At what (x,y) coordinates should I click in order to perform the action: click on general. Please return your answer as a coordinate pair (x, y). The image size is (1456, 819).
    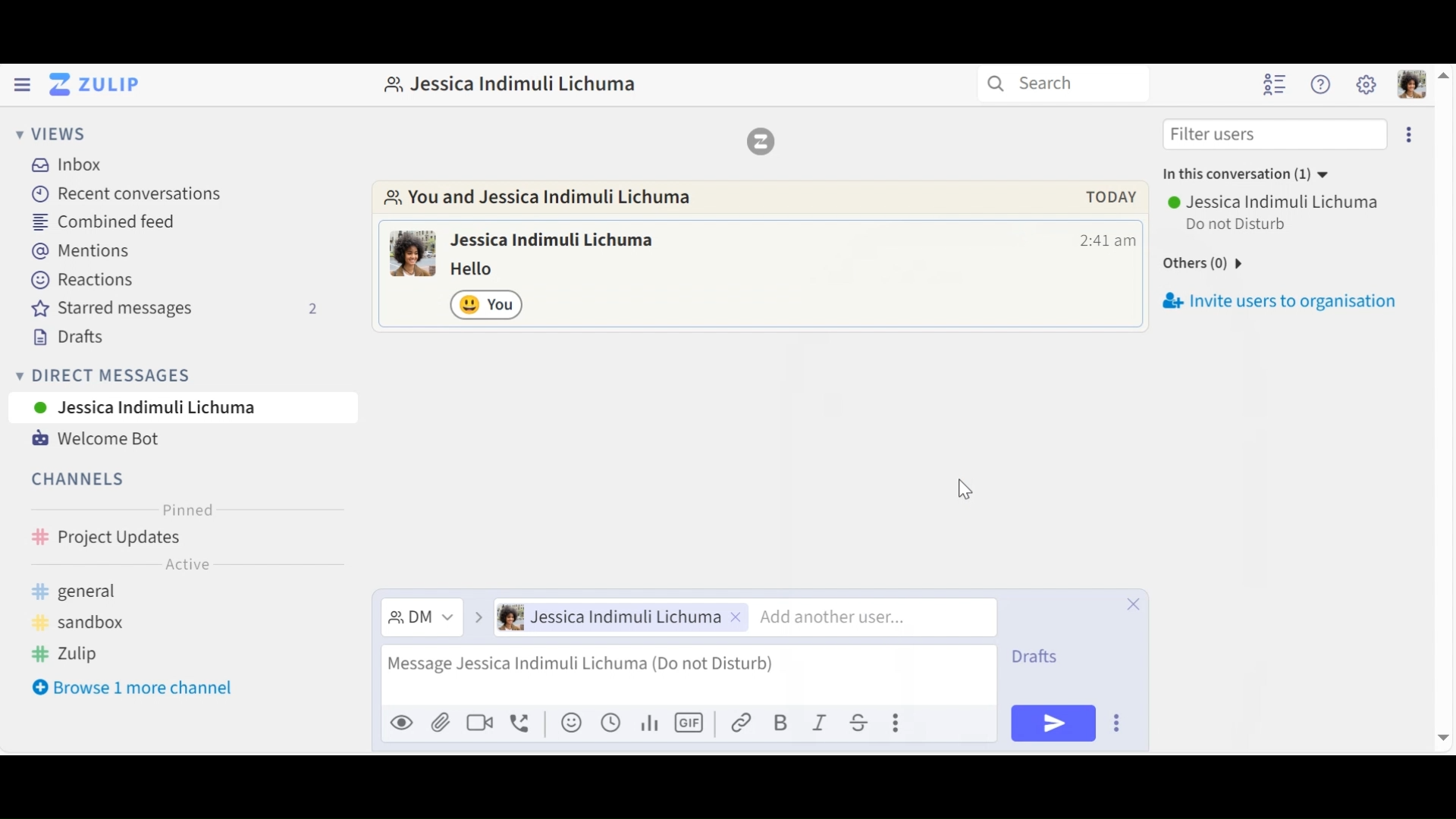
    Looking at the image, I should click on (99, 592).